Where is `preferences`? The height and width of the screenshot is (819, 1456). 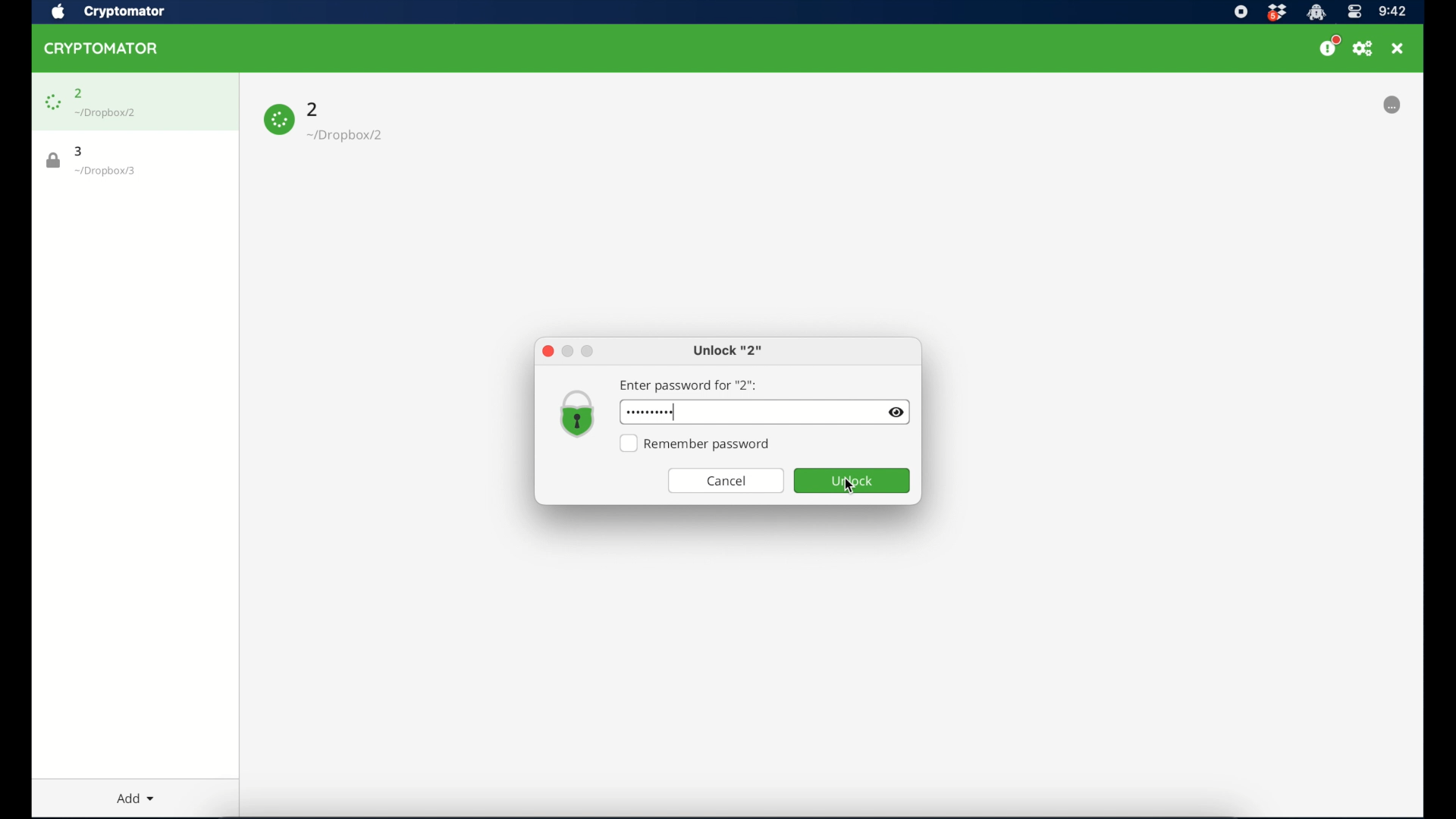 preferences is located at coordinates (1363, 49).